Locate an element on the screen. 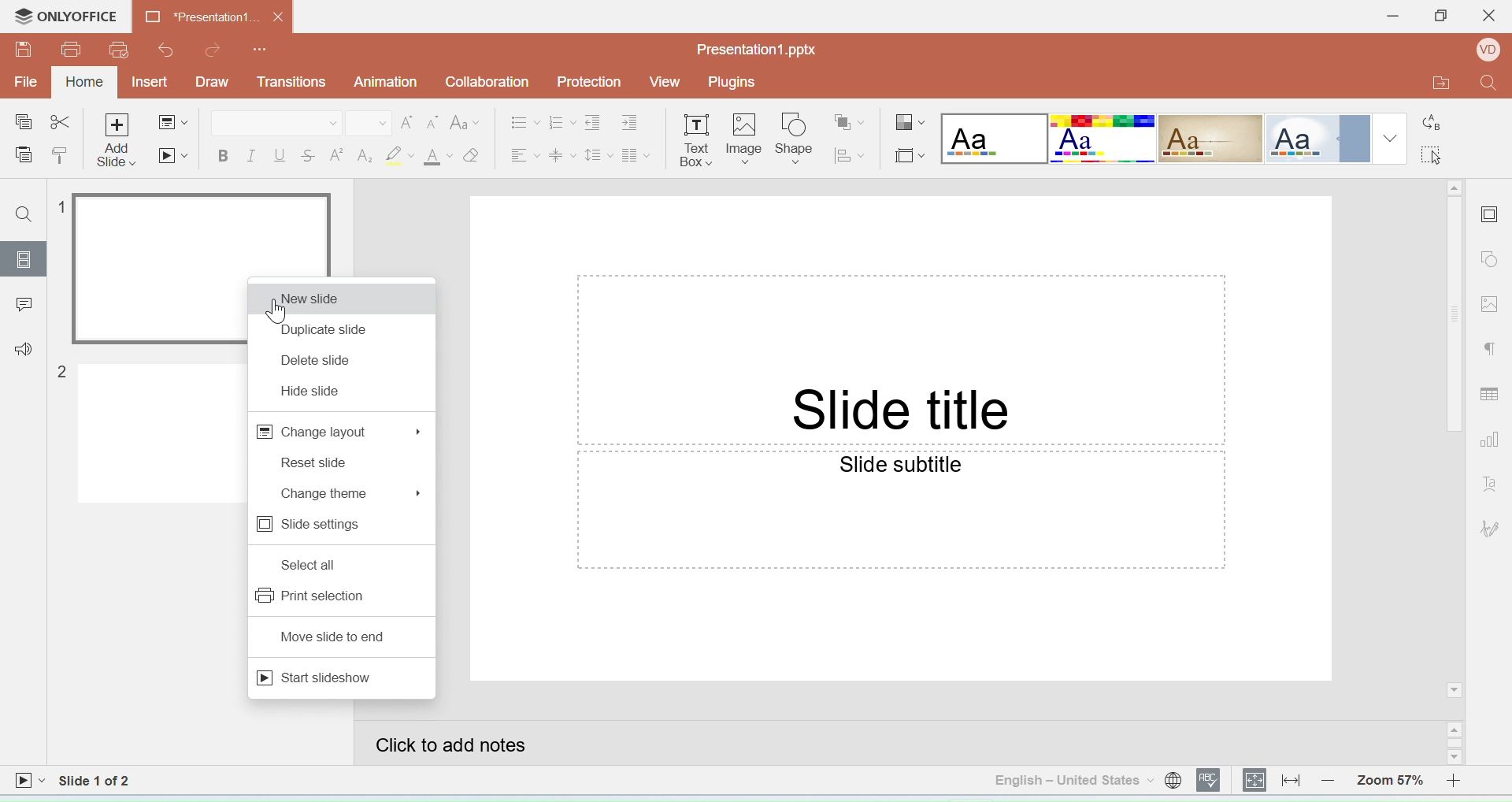 Image resolution: width=1512 pixels, height=802 pixels. Open file location is located at coordinates (1431, 84).